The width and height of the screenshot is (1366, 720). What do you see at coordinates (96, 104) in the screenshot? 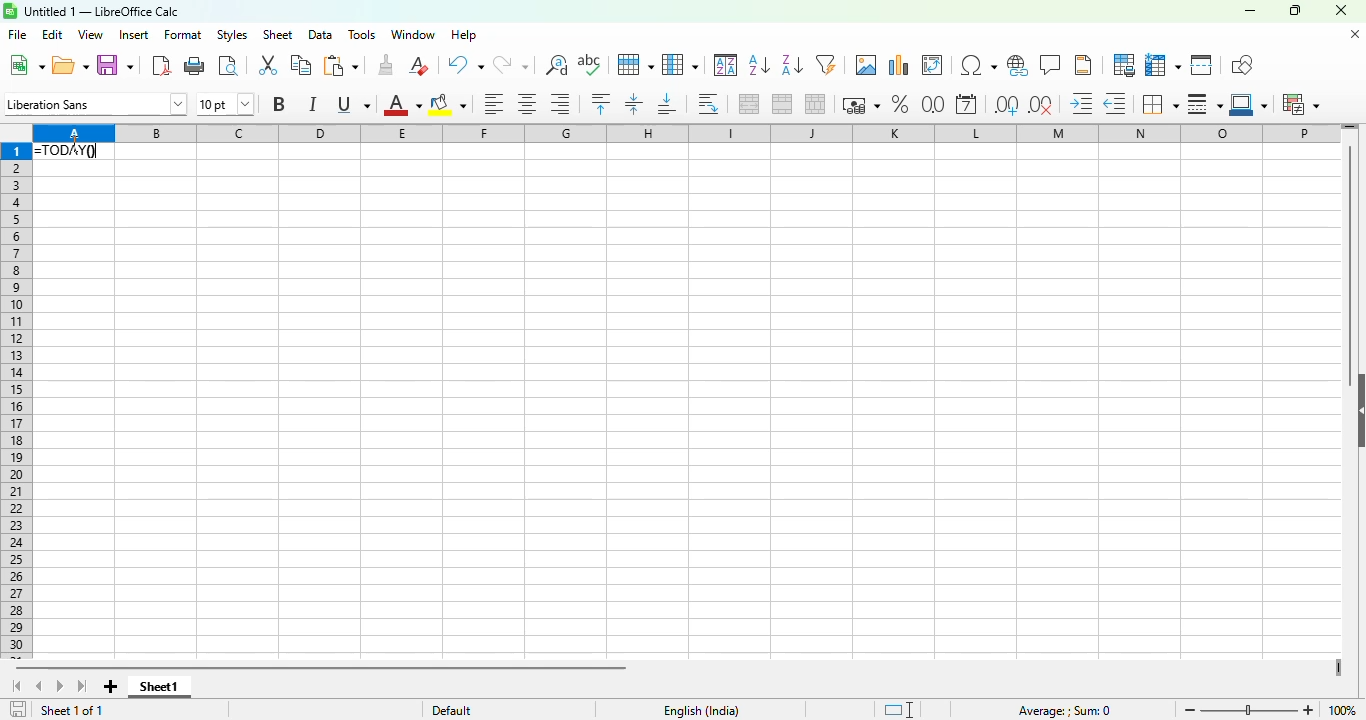
I see `font name` at bounding box center [96, 104].